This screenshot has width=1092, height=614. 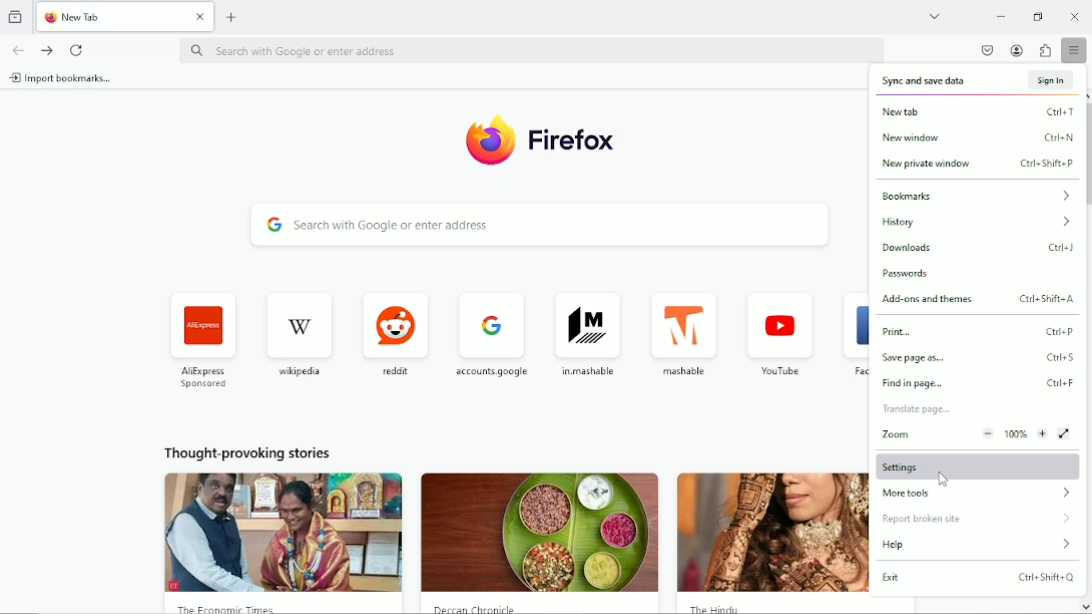 I want to click on firefox logo, so click(x=50, y=19).